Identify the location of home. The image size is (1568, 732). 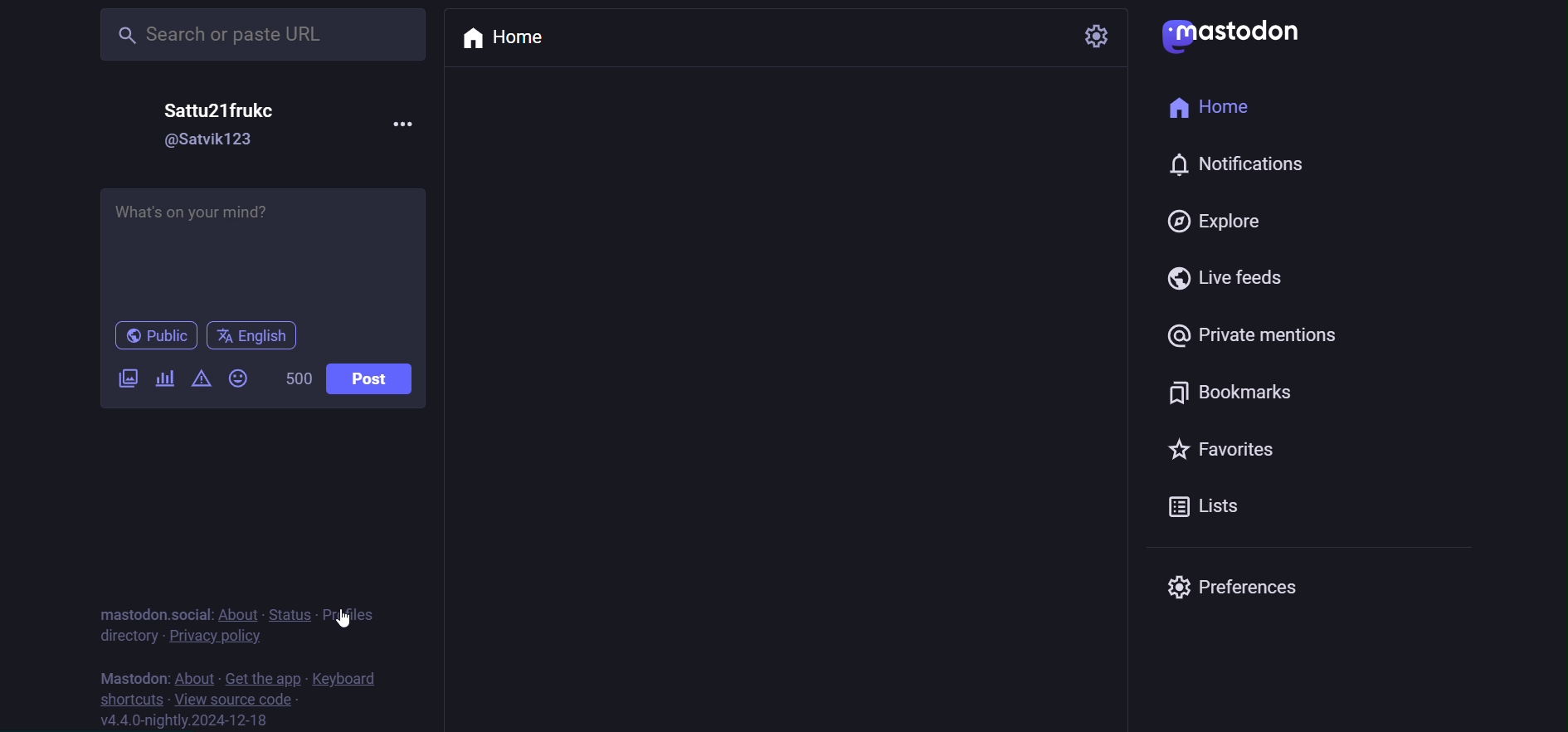
(1214, 109).